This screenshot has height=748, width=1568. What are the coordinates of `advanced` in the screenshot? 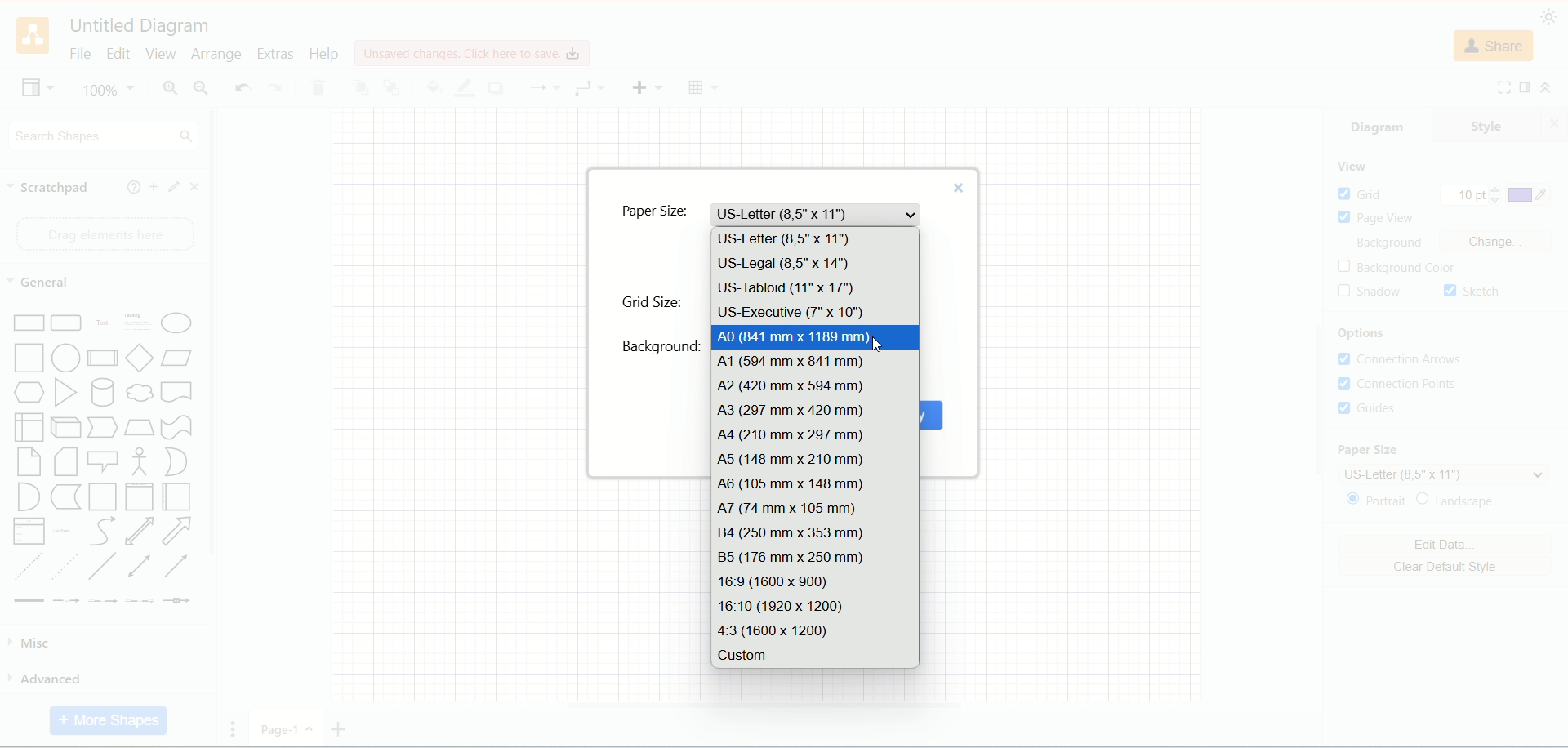 It's located at (99, 679).